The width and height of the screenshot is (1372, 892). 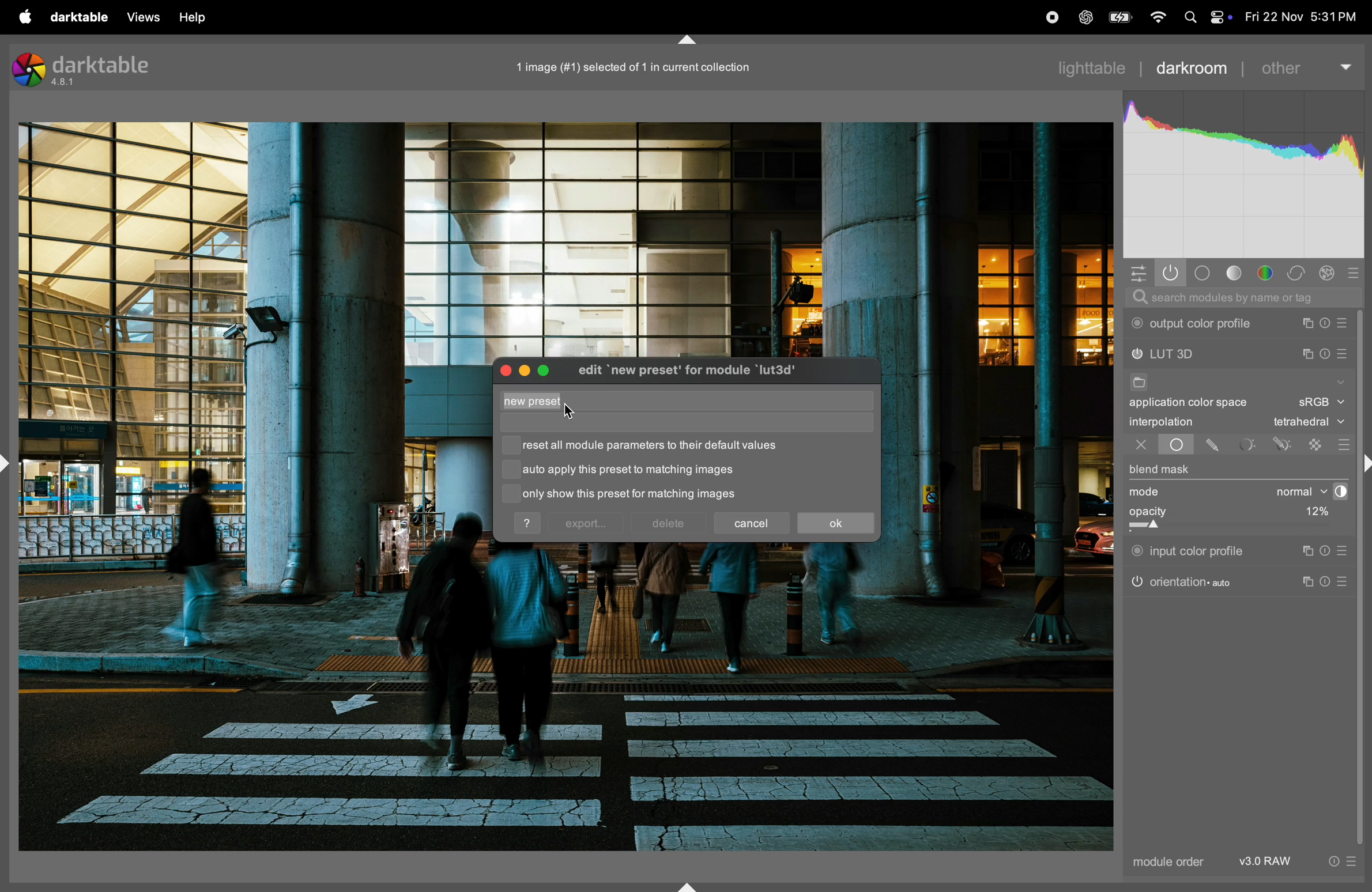 I want to click on drwan parmetric mask, so click(x=1285, y=443).